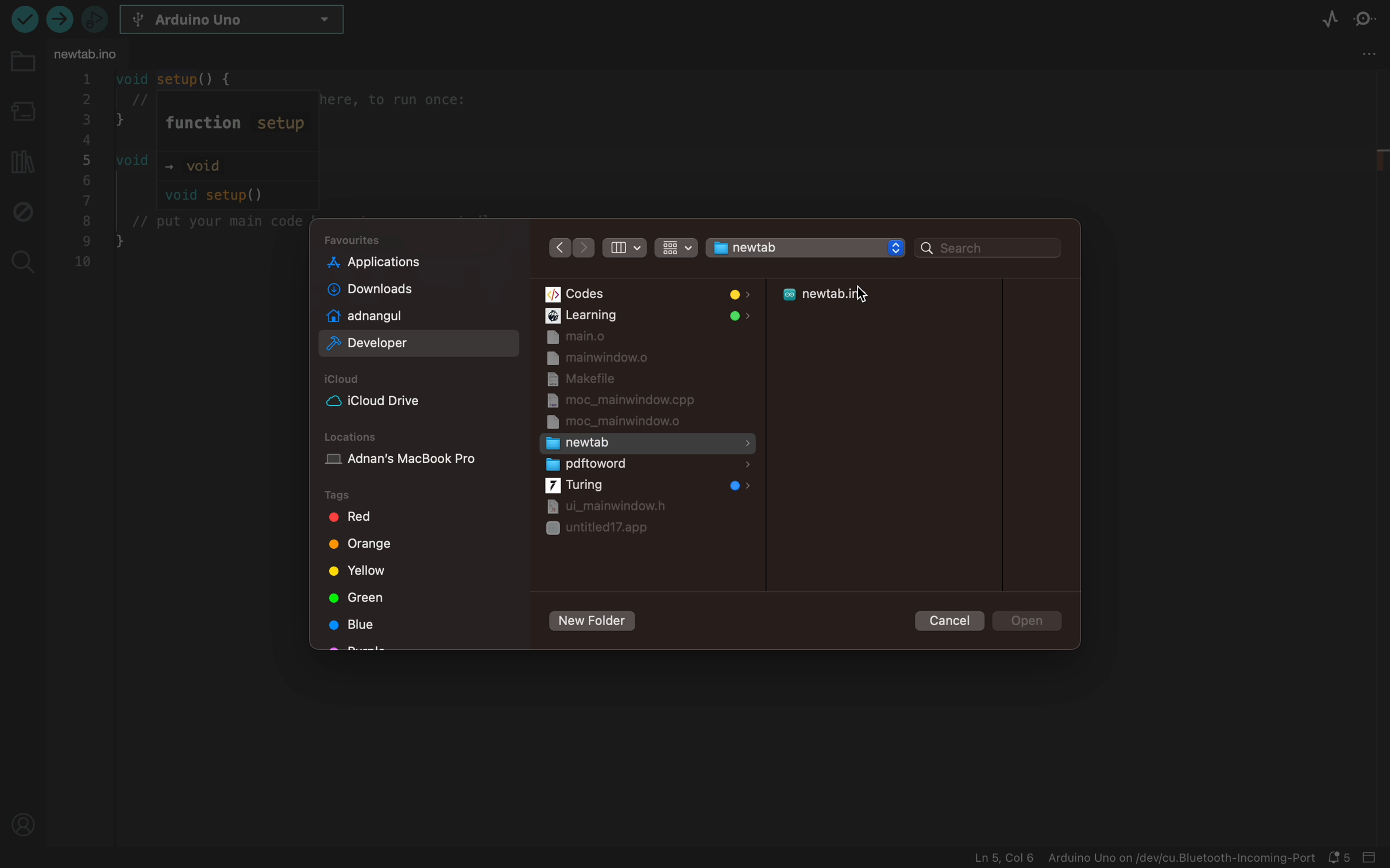 The width and height of the screenshot is (1390, 868). Describe the element at coordinates (945, 619) in the screenshot. I see `cancel` at that location.